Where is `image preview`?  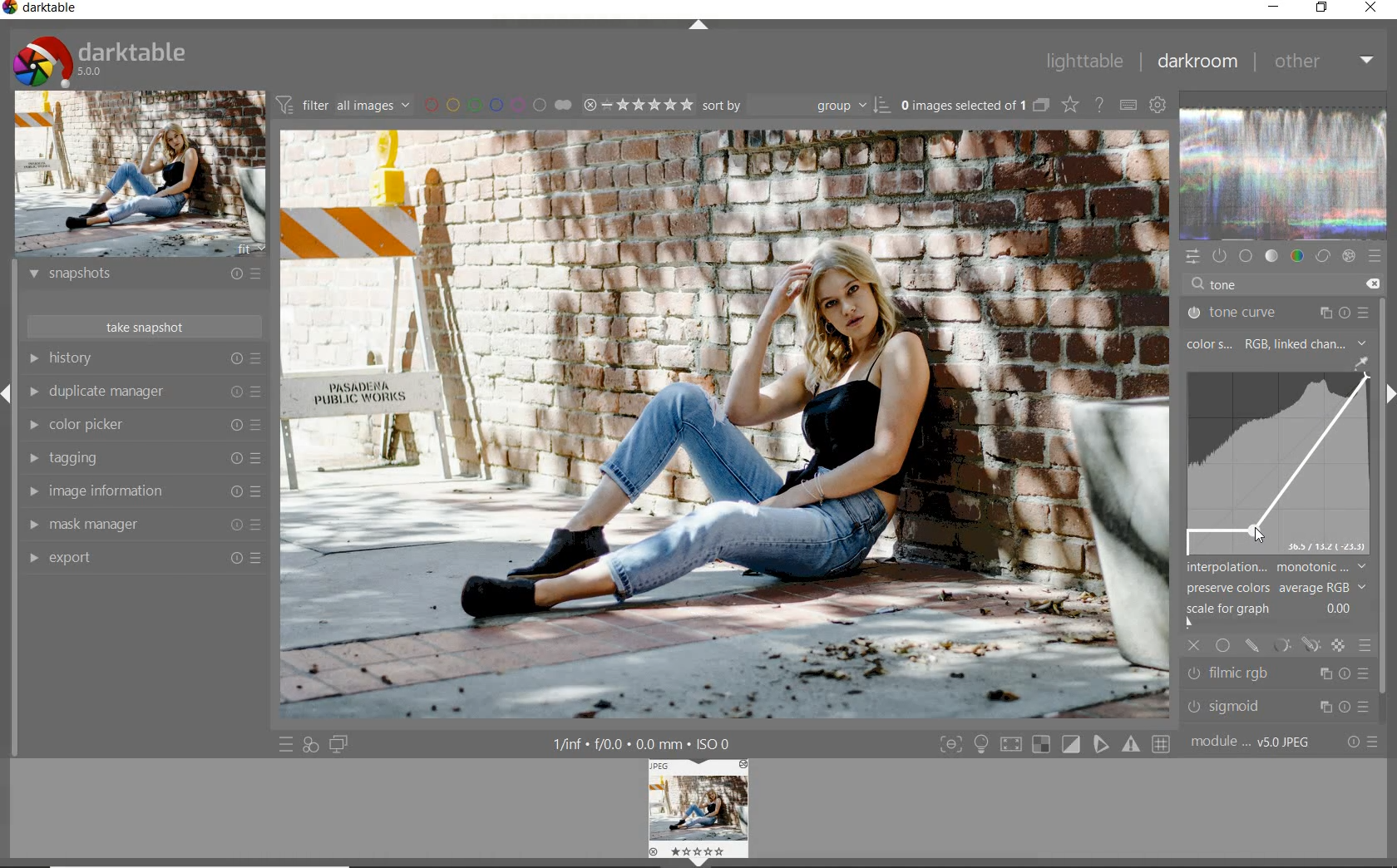
image preview is located at coordinates (139, 175).